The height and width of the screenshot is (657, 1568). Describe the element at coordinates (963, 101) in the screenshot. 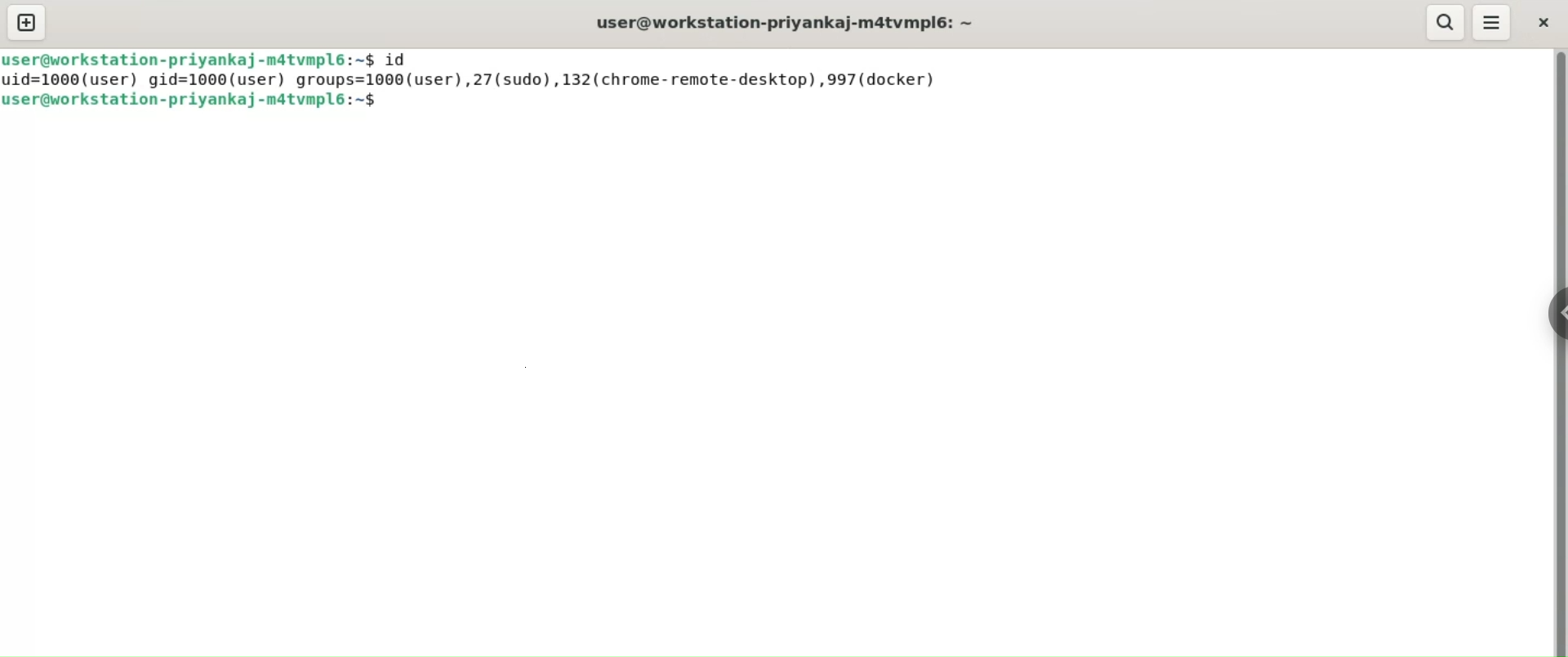

I see `command input` at that location.